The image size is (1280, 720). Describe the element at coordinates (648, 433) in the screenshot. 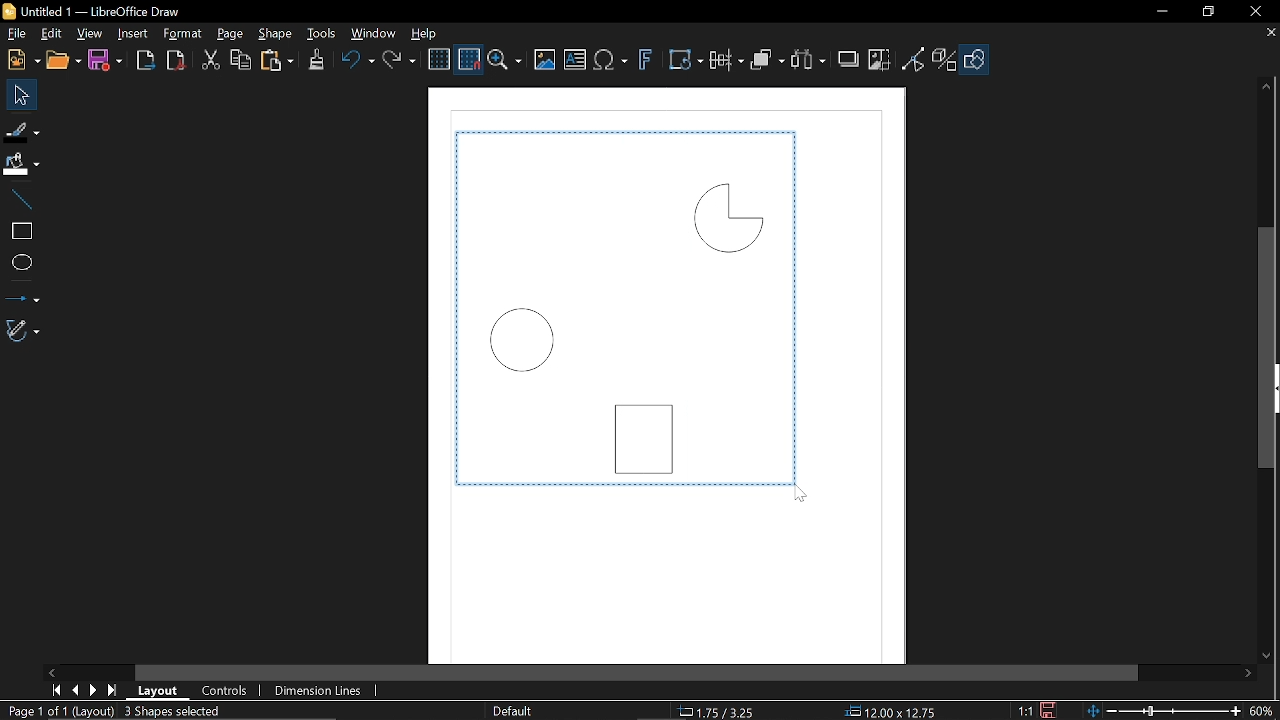

I see `Rectangle` at that location.